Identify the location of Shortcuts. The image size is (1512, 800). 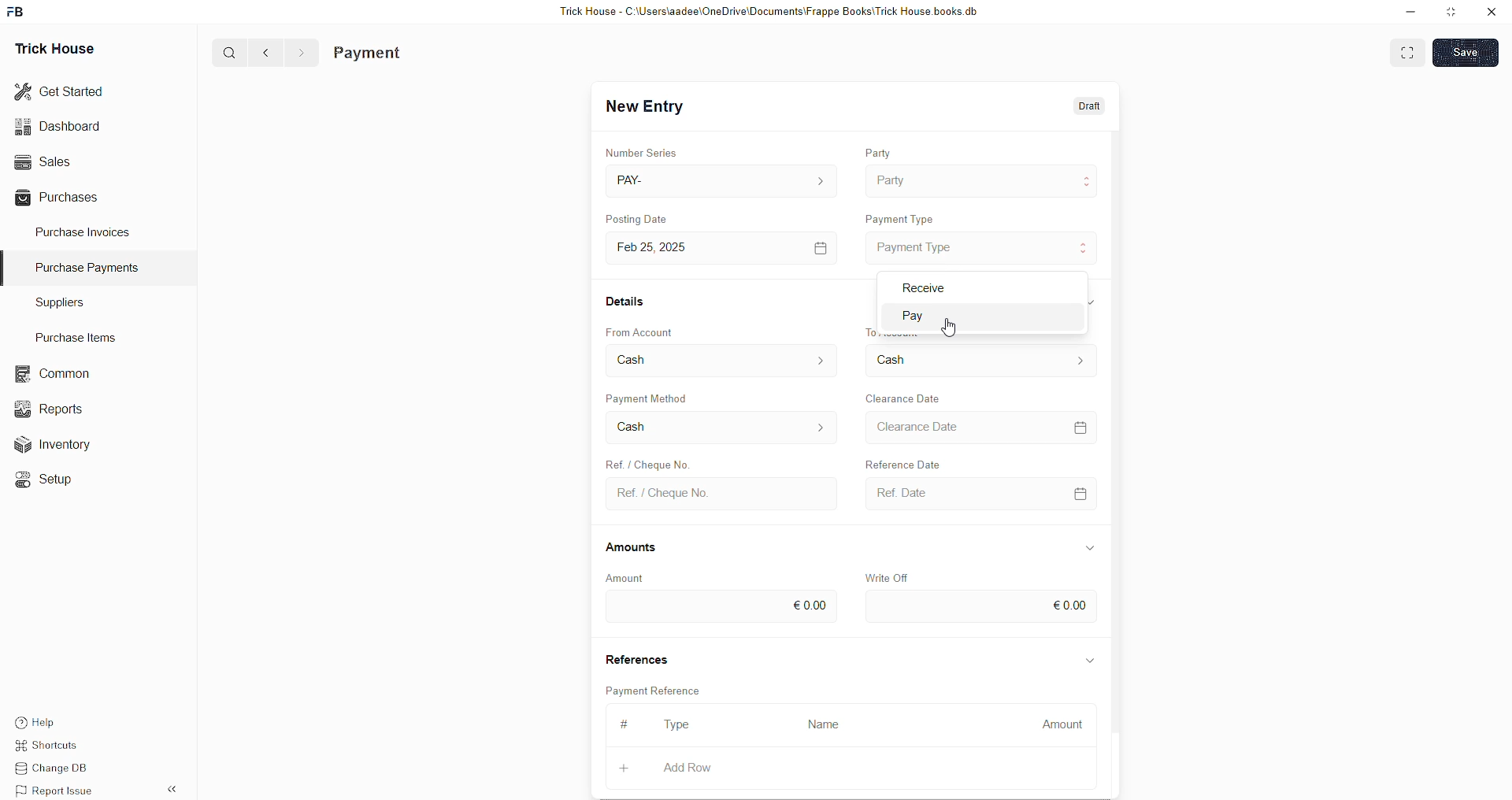
(56, 747).